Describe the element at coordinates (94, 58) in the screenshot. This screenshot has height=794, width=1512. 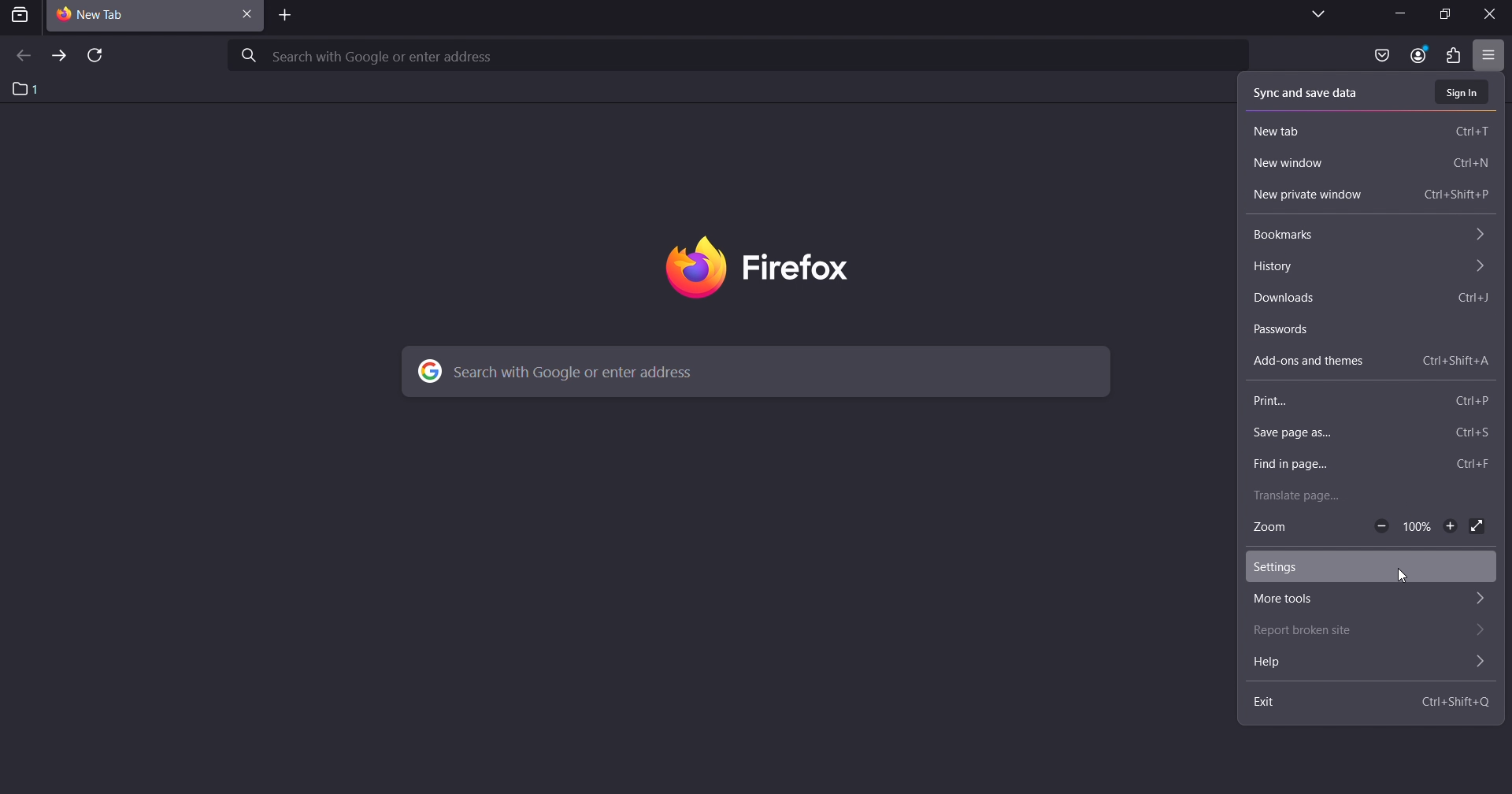
I see `reload page` at that location.